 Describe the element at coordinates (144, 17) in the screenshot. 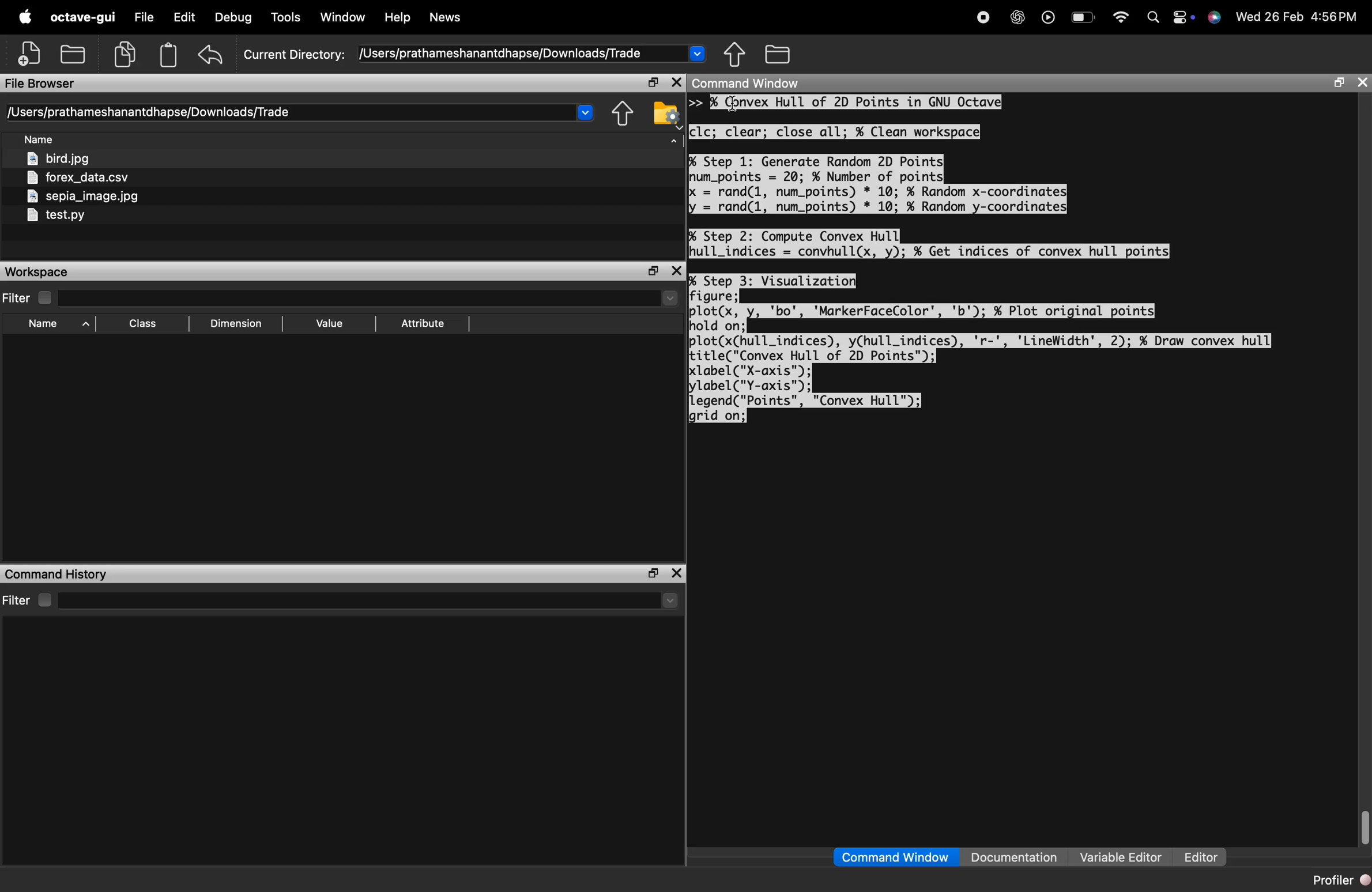

I see `file` at that location.